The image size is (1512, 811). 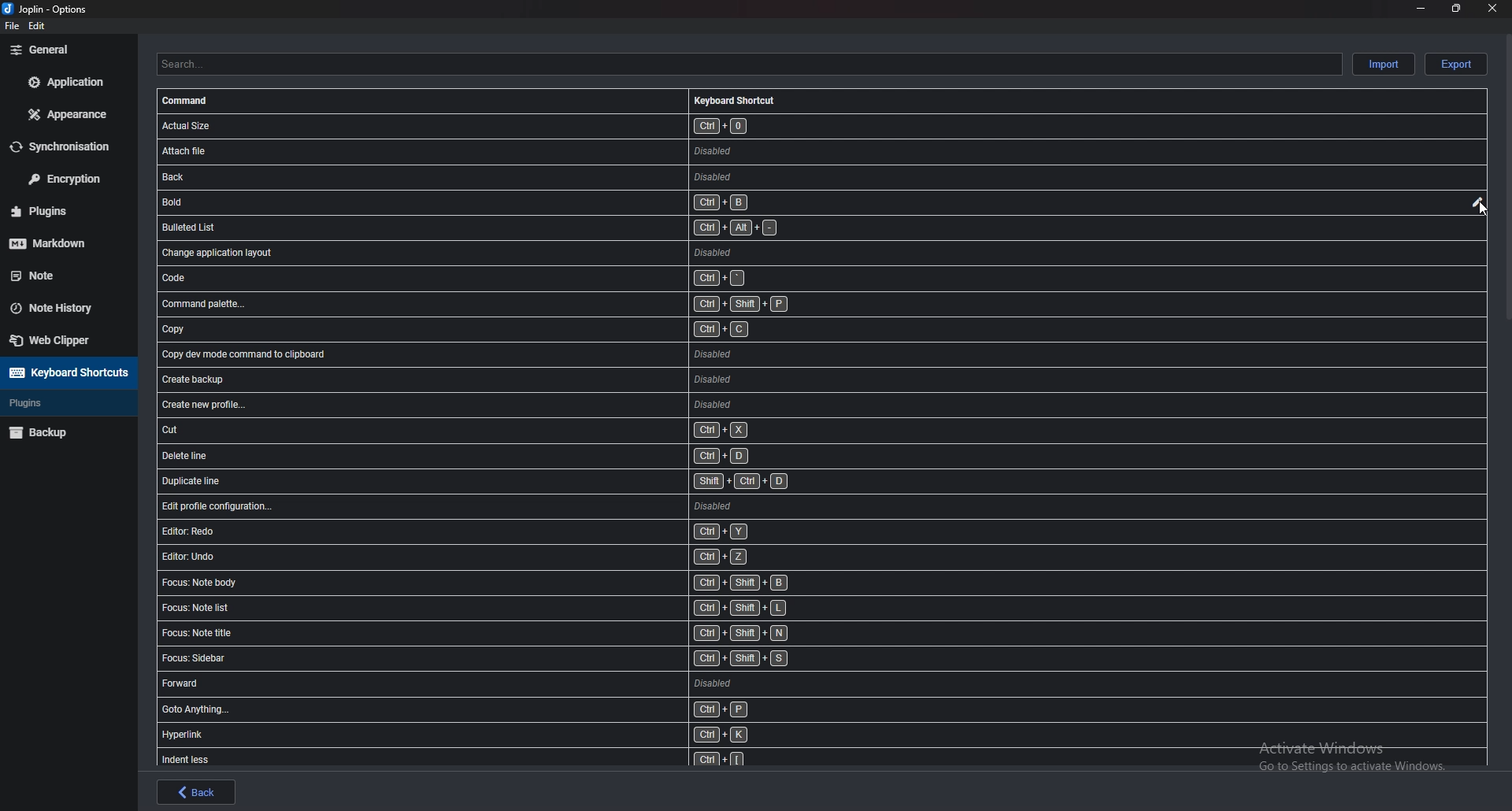 What do you see at coordinates (499, 330) in the screenshot?
I see `shortcut` at bounding box center [499, 330].